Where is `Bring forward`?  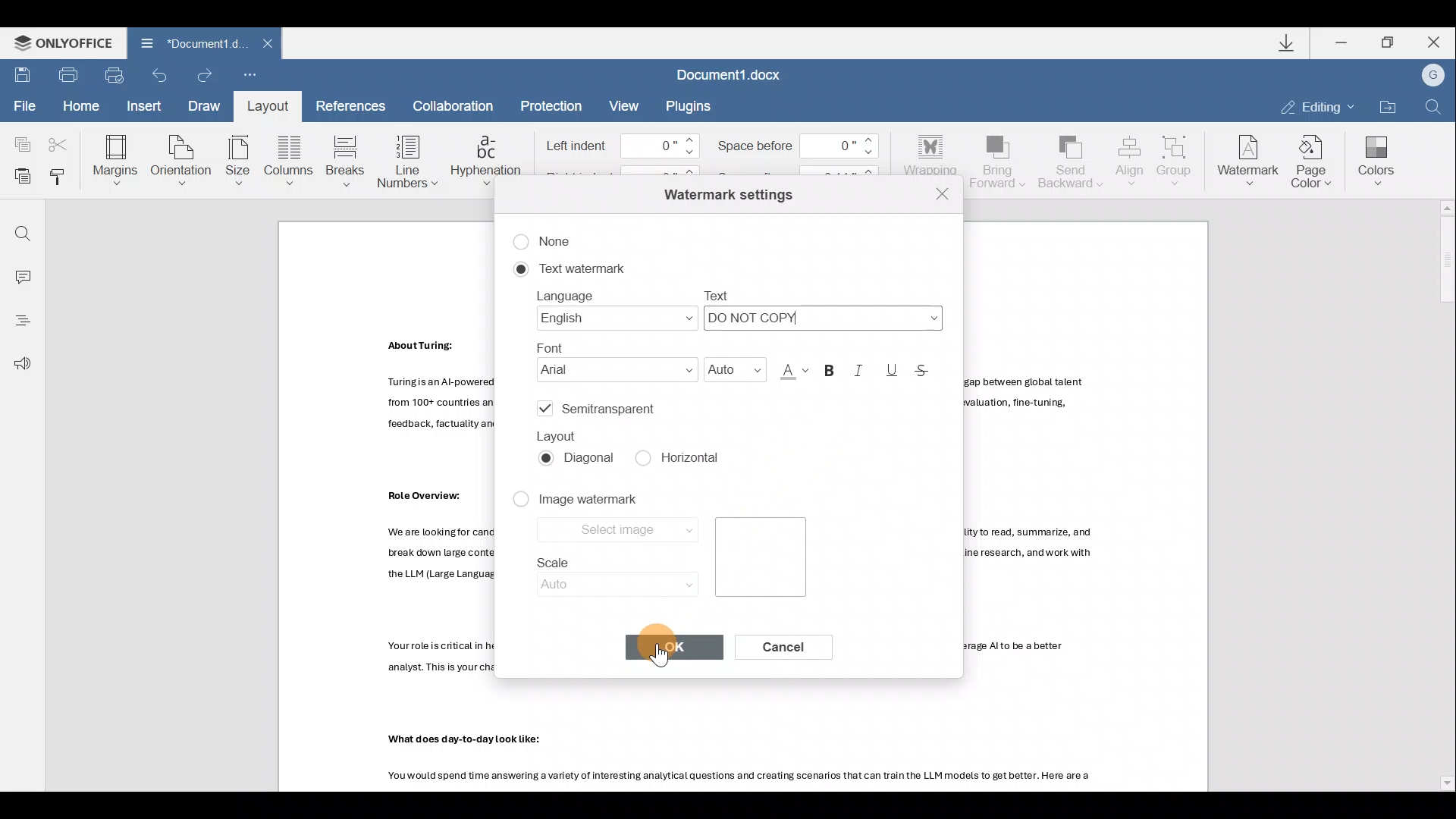
Bring forward is located at coordinates (999, 164).